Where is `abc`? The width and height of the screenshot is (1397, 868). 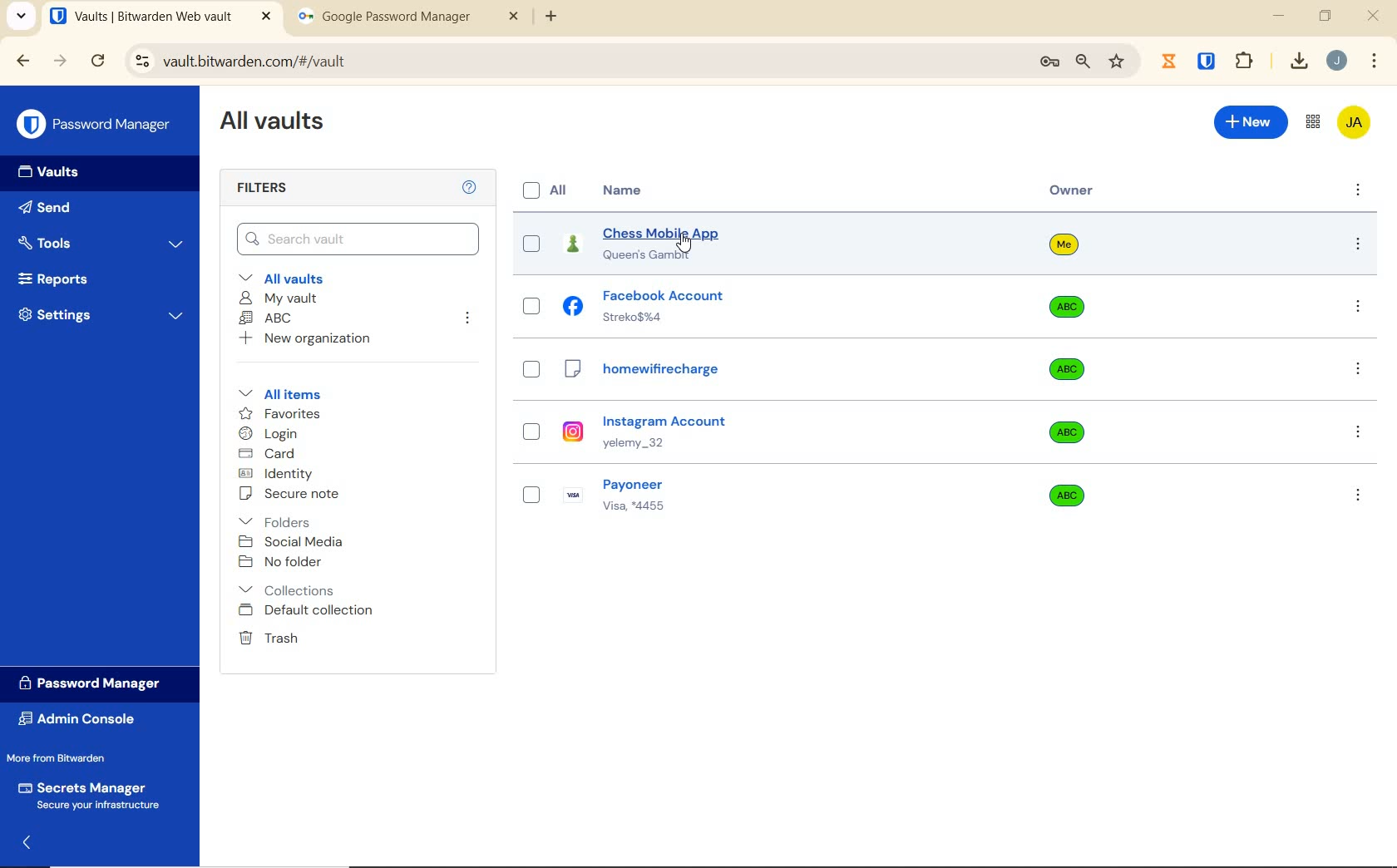 abc is located at coordinates (1079, 369).